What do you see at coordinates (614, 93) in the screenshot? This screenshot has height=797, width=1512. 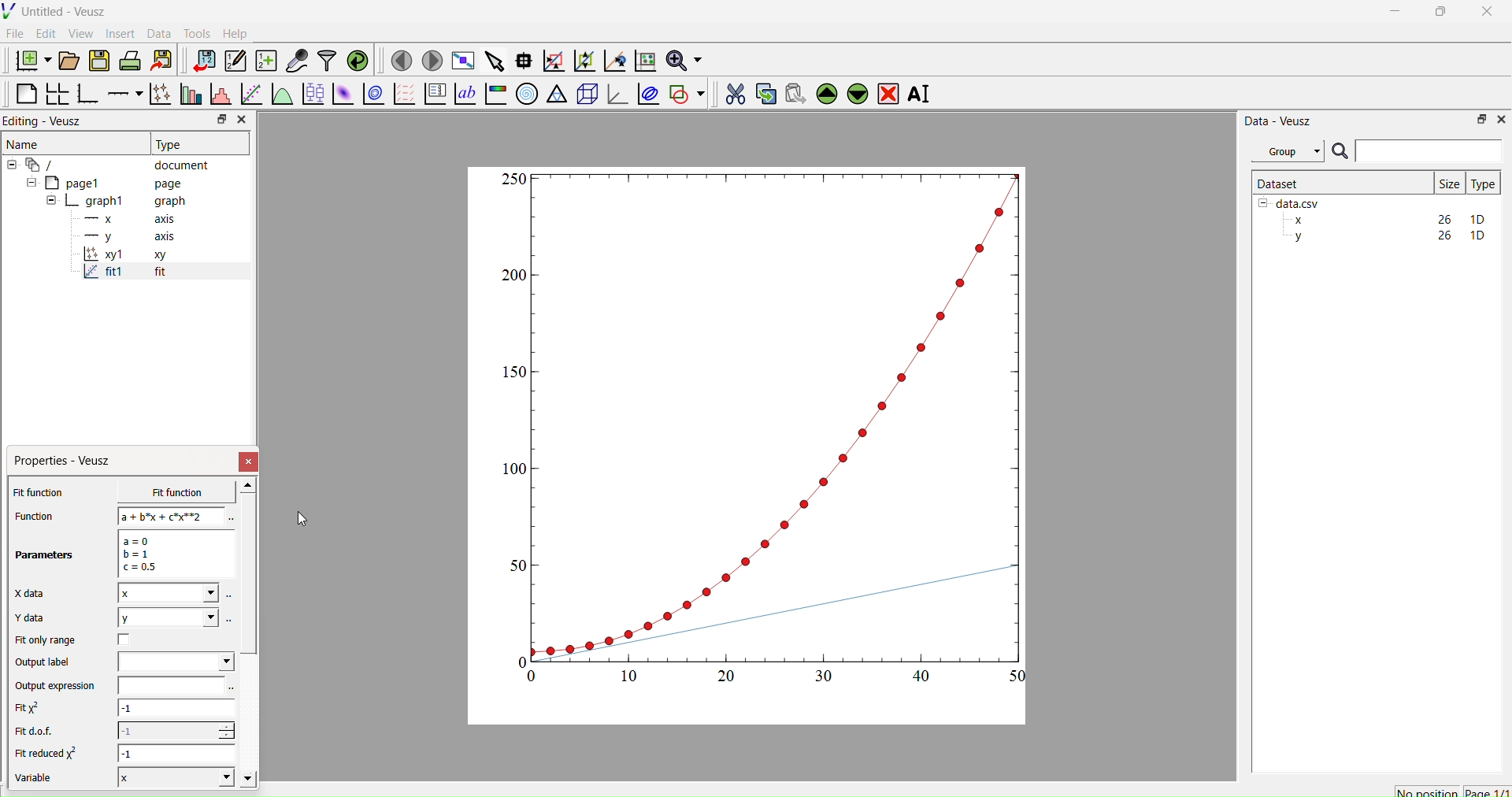 I see `3d Graph` at bounding box center [614, 93].